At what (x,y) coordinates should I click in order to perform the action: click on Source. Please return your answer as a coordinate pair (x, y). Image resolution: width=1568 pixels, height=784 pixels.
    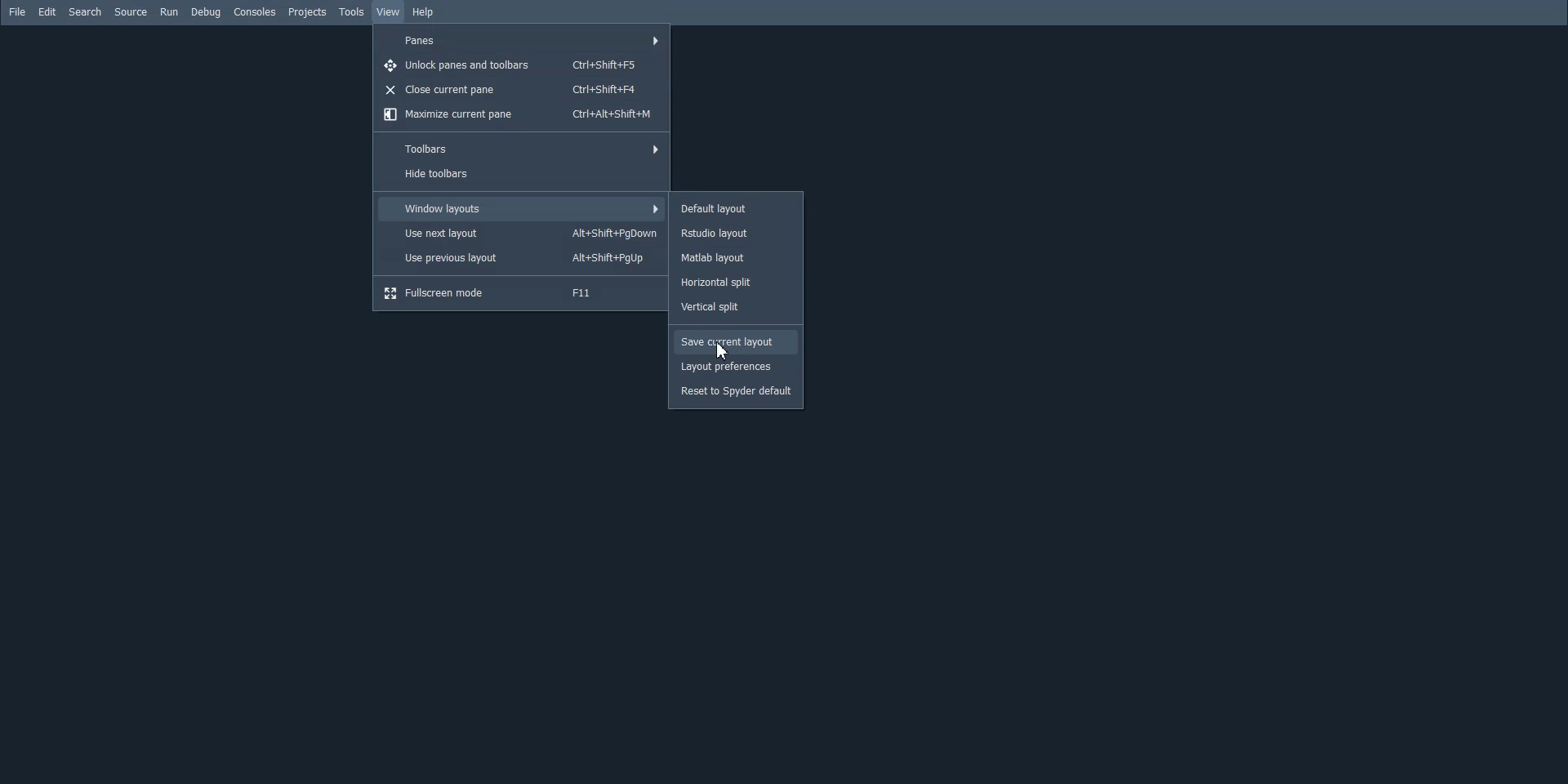
    Looking at the image, I should click on (131, 11).